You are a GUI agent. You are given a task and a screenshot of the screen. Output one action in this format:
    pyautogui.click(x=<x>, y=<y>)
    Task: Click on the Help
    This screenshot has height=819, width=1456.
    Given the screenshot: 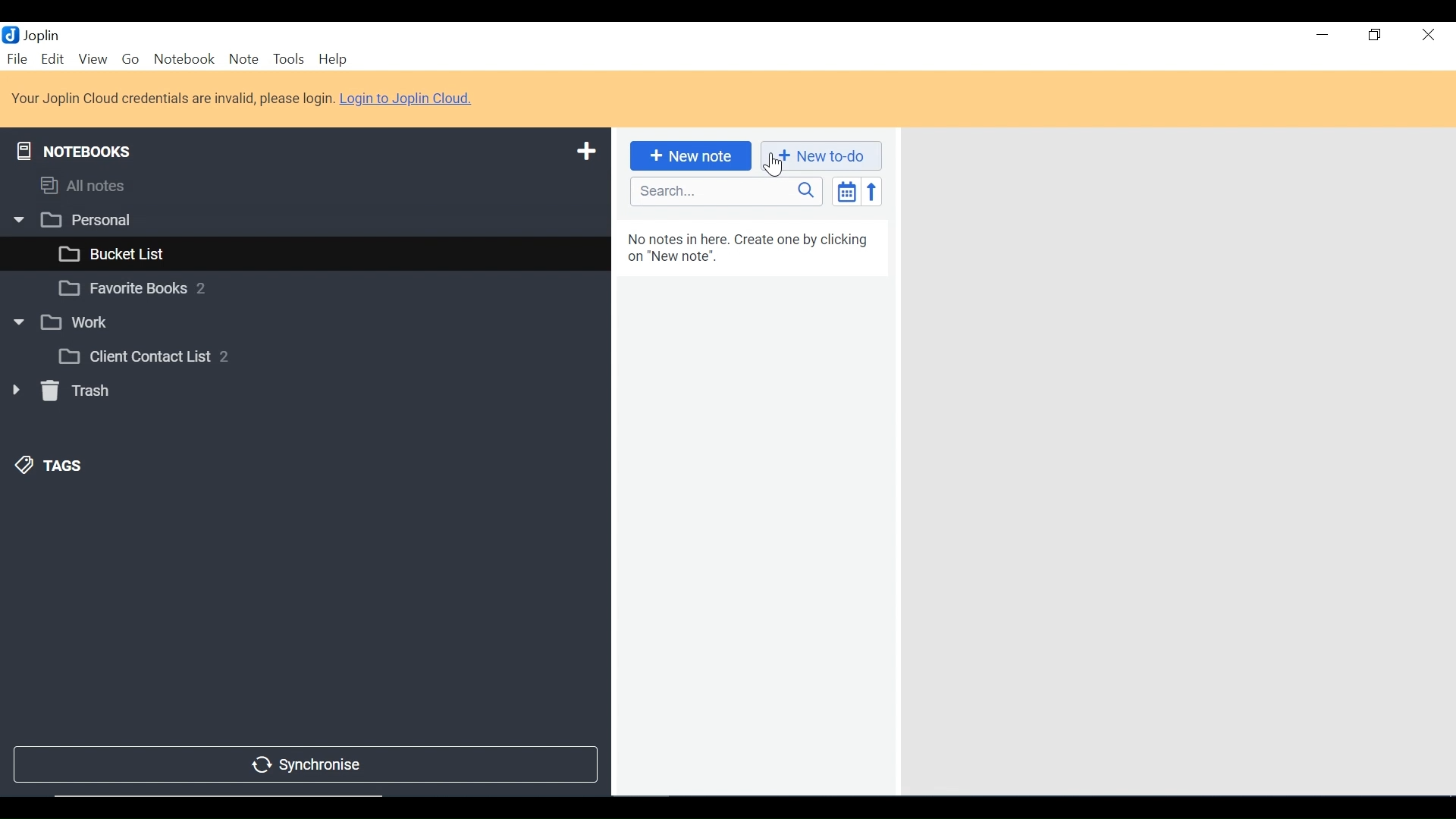 What is the action you would take?
    pyautogui.click(x=333, y=60)
    